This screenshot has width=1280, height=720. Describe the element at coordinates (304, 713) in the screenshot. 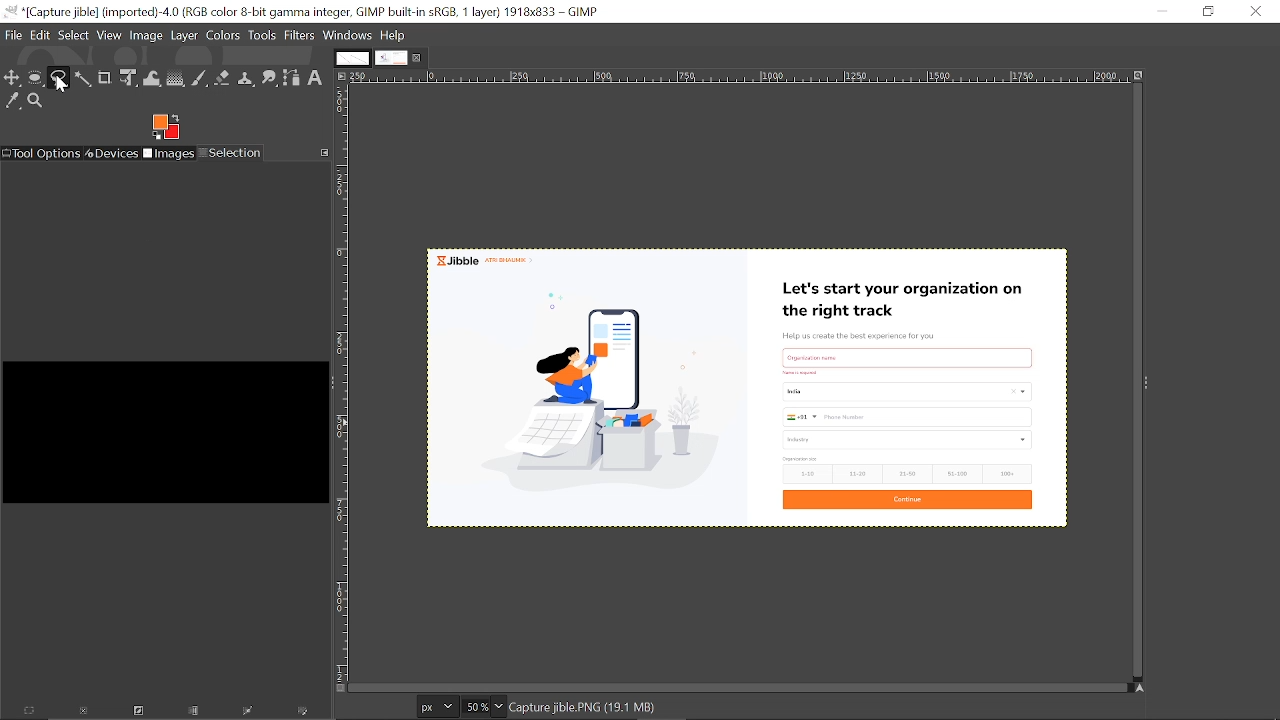

I see `Paint along the selection outline` at that location.